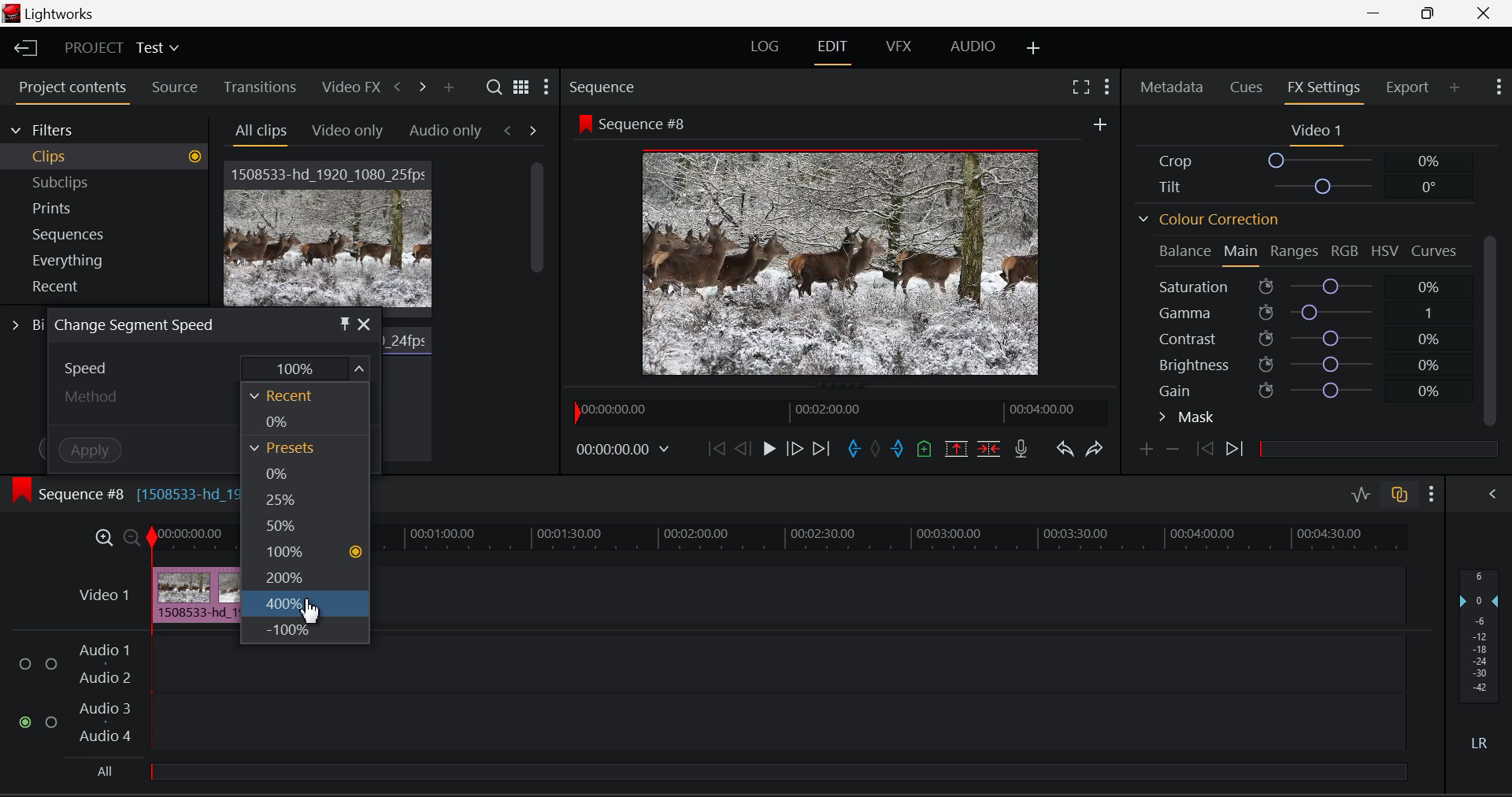  What do you see at coordinates (925, 449) in the screenshot?
I see `Add Cue` at bounding box center [925, 449].